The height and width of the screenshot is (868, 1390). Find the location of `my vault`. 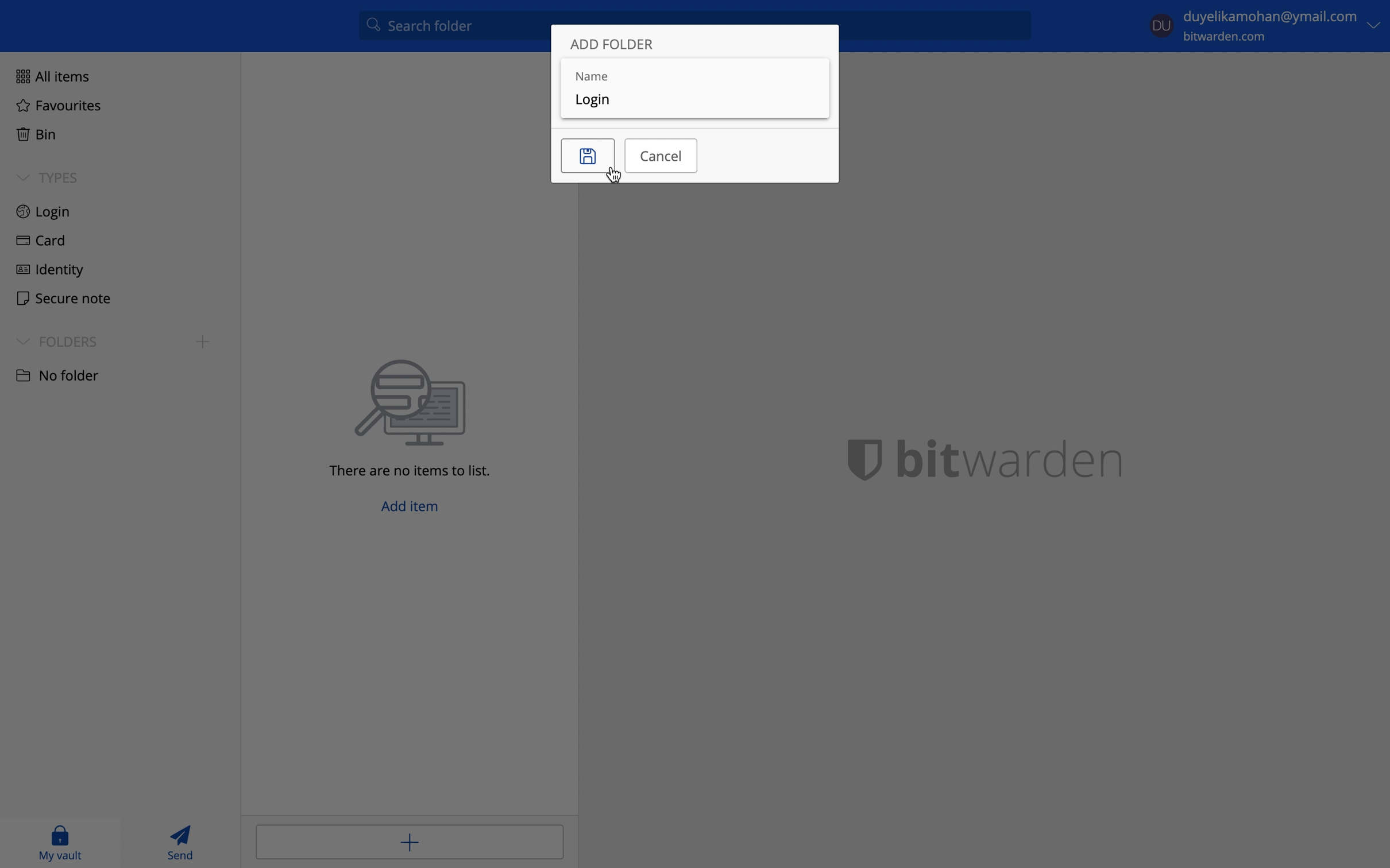

my vault is located at coordinates (60, 842).